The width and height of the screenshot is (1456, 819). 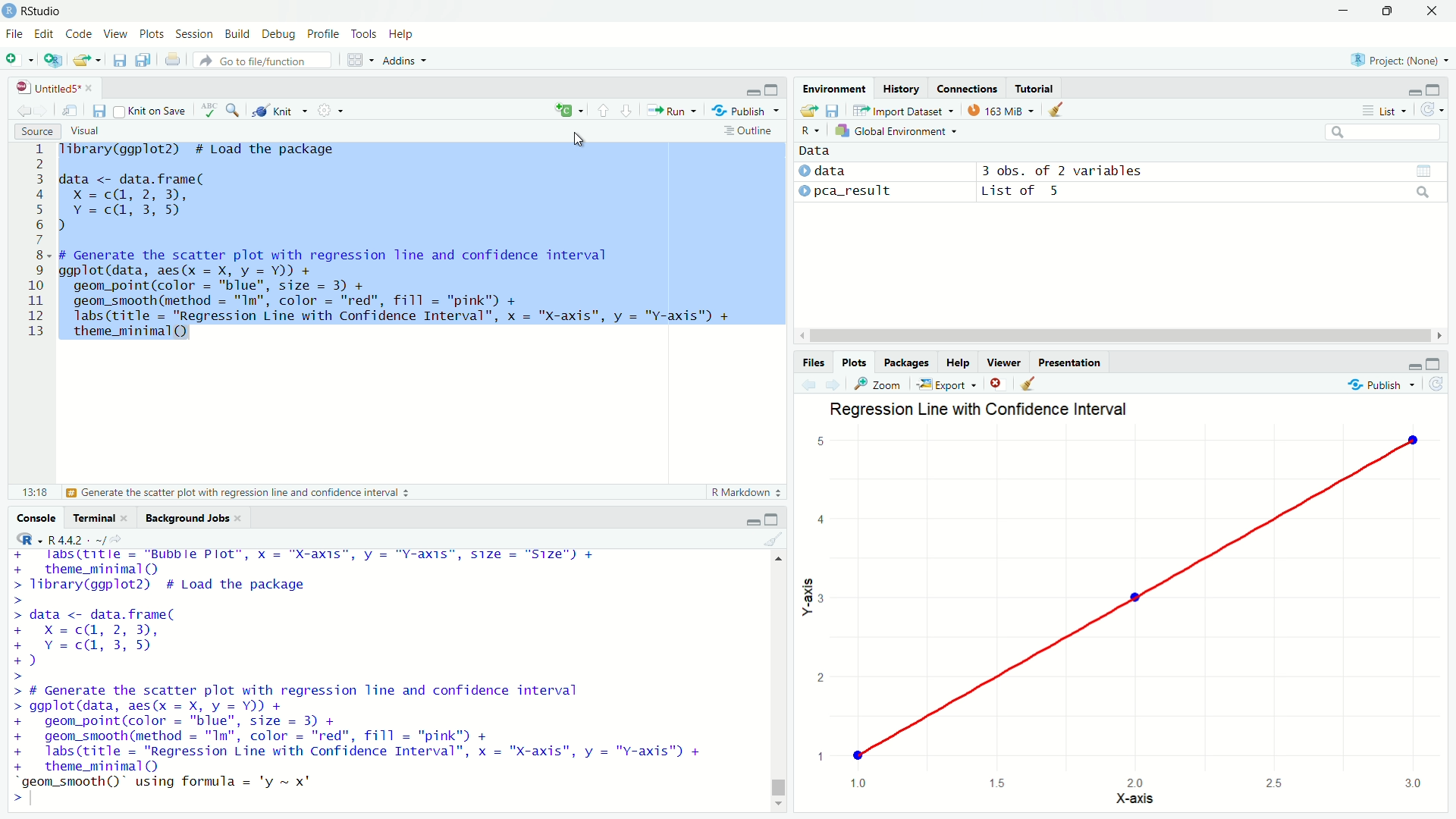 I want to click on Print the current file, so click(x=172, y=58).